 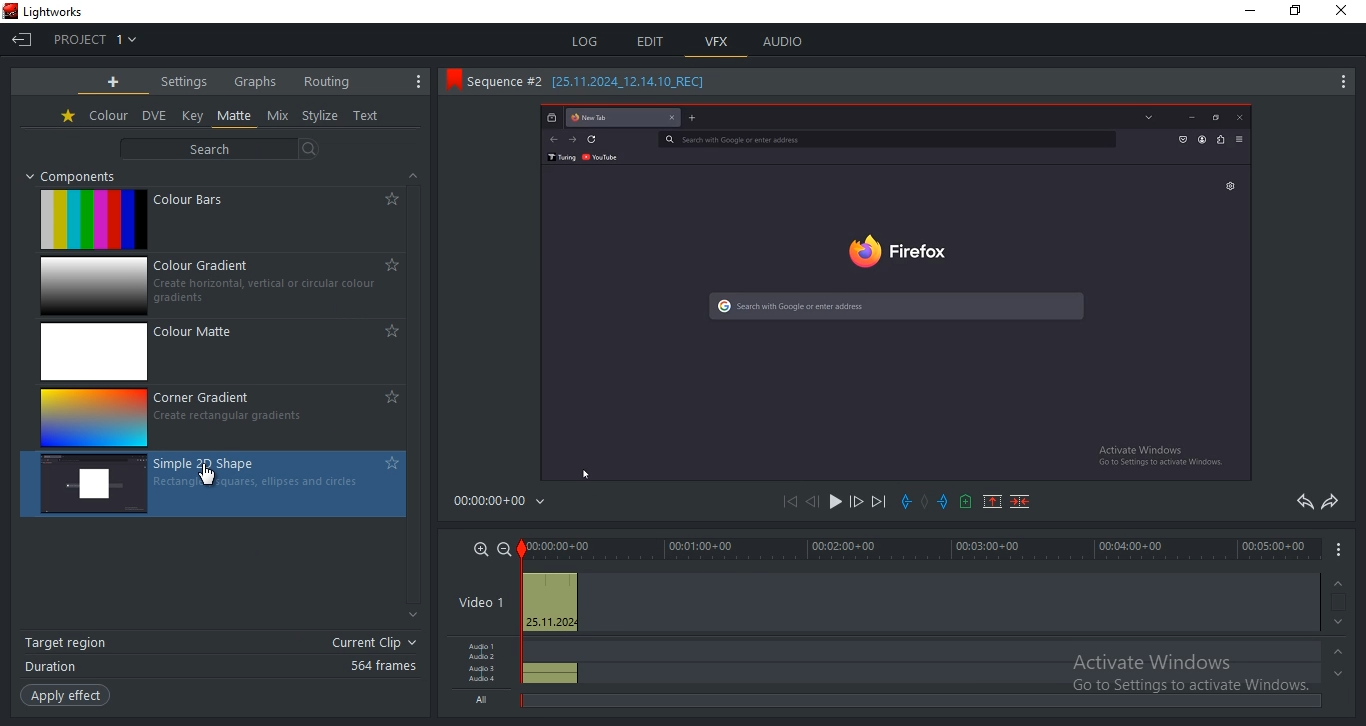 What do you see at coordinates (583, 39) in the screenshot?
I see `log` at bounding box center [583, 39].